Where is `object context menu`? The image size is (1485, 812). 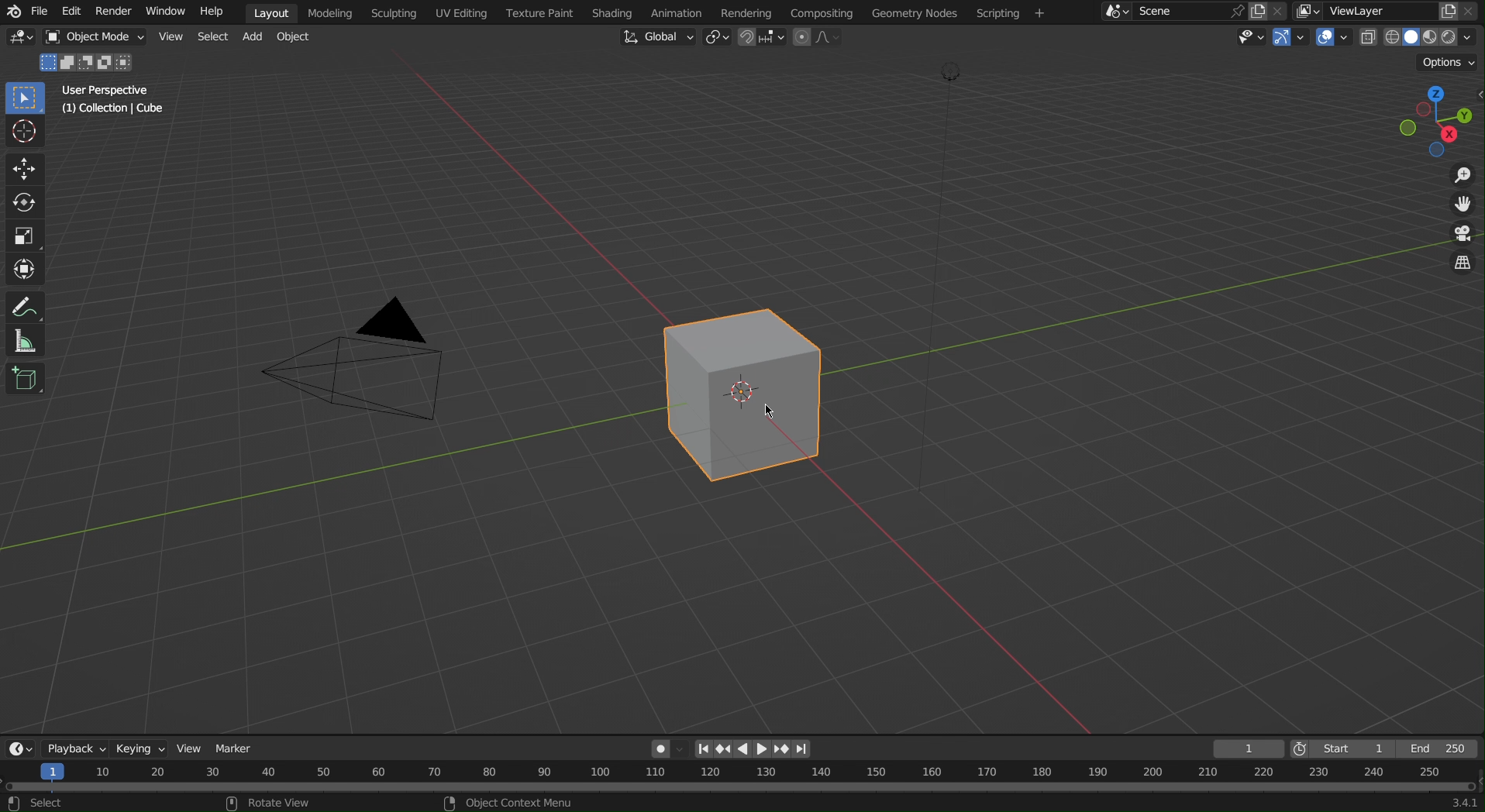
object context menu is located at coordinates (513, 802).